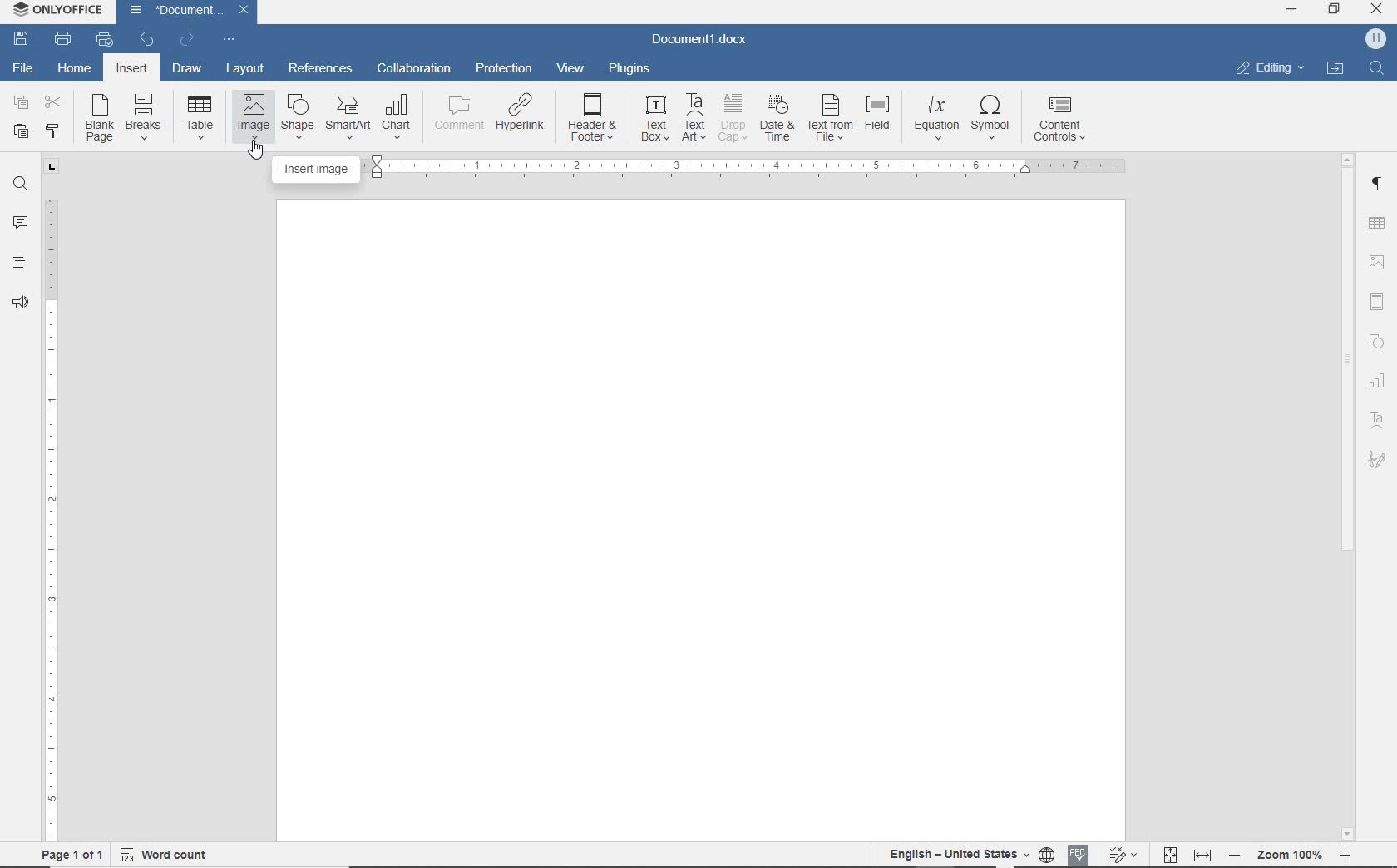 The image size is (1397, 868). Describe the element at coordinates (1380, 461) in the screenshot. I see `signature` at that location.